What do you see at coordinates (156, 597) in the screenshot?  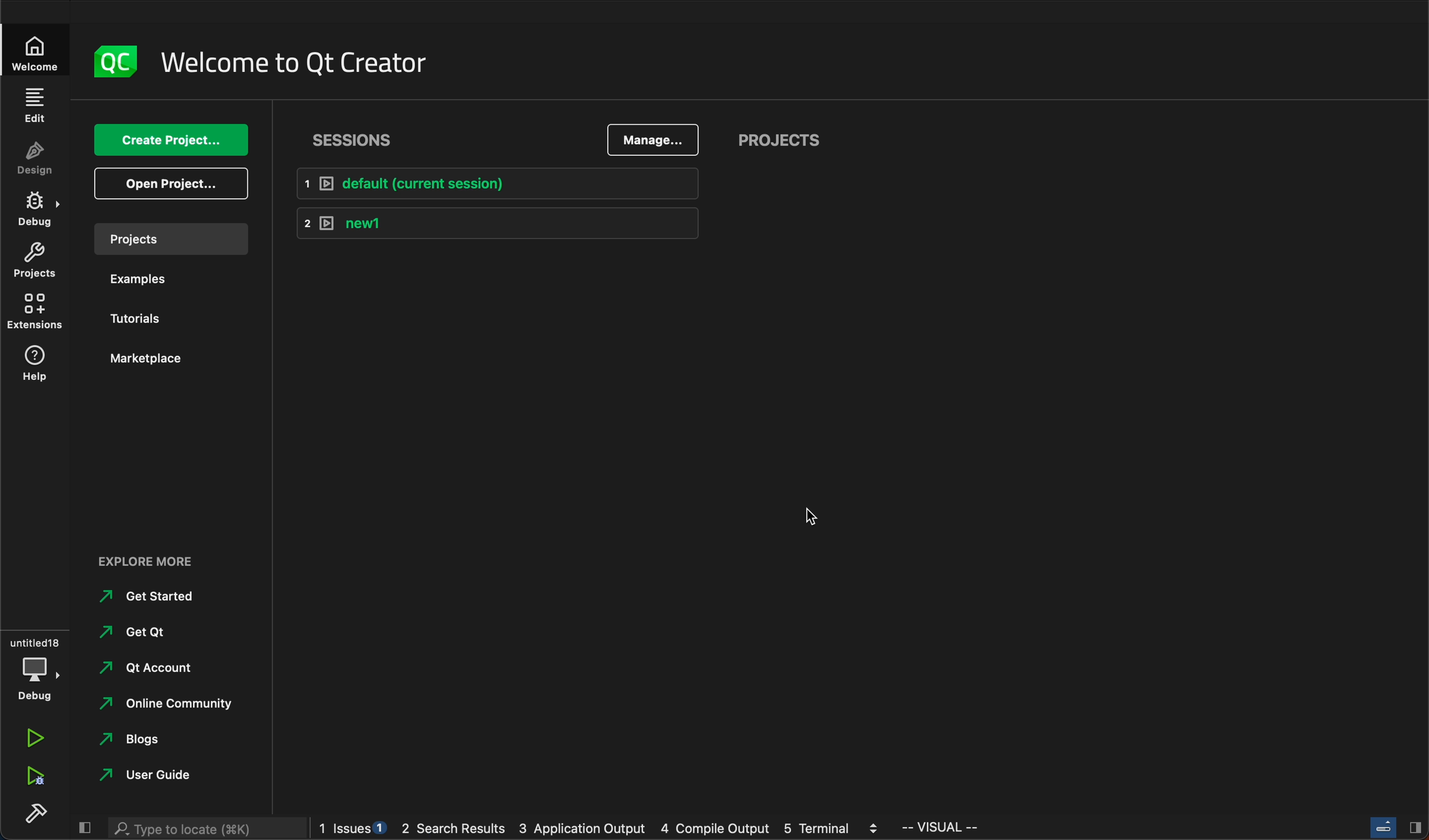 I see `started` at bounding box center [156, 597].